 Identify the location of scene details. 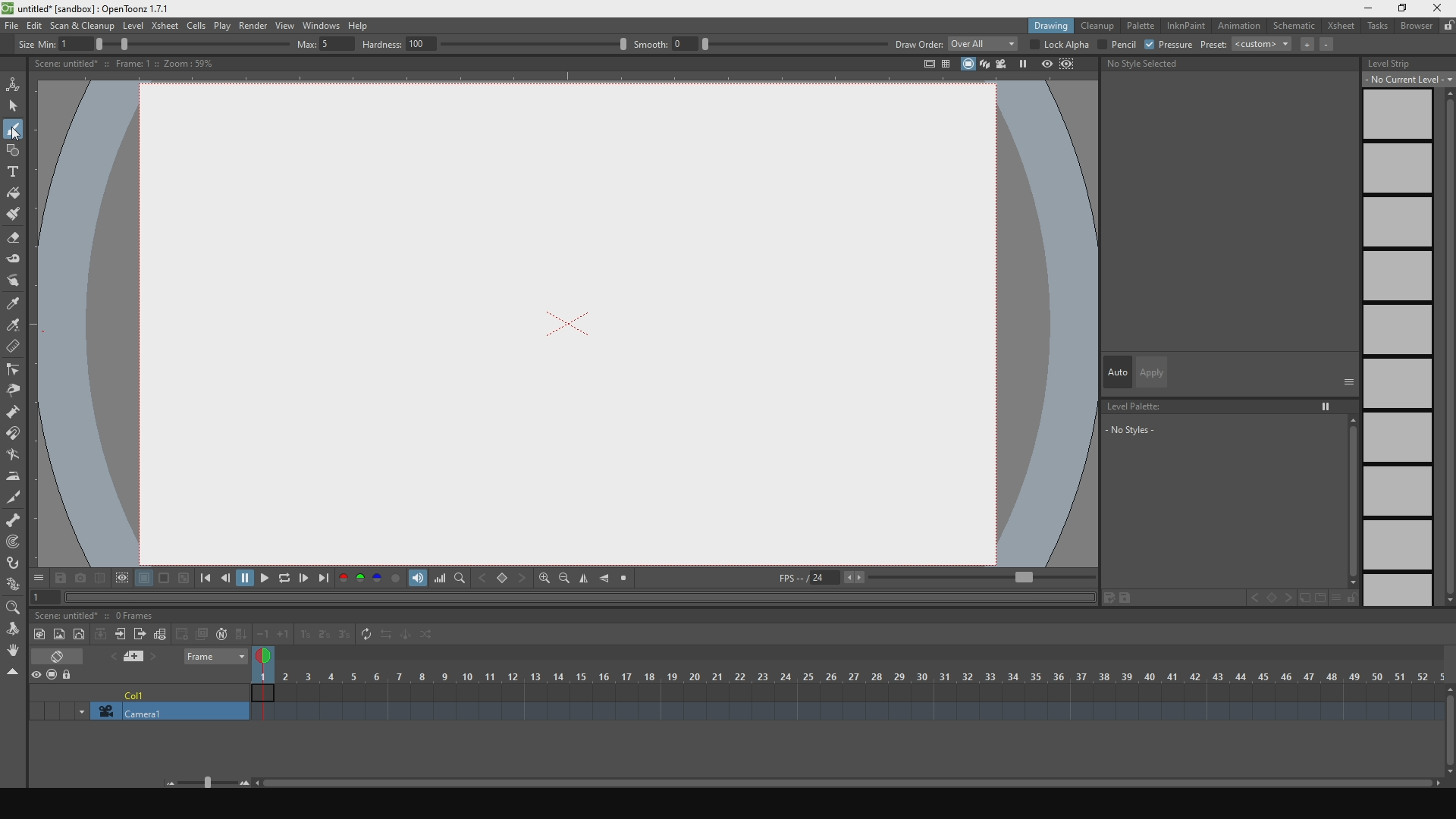
(133, 64).